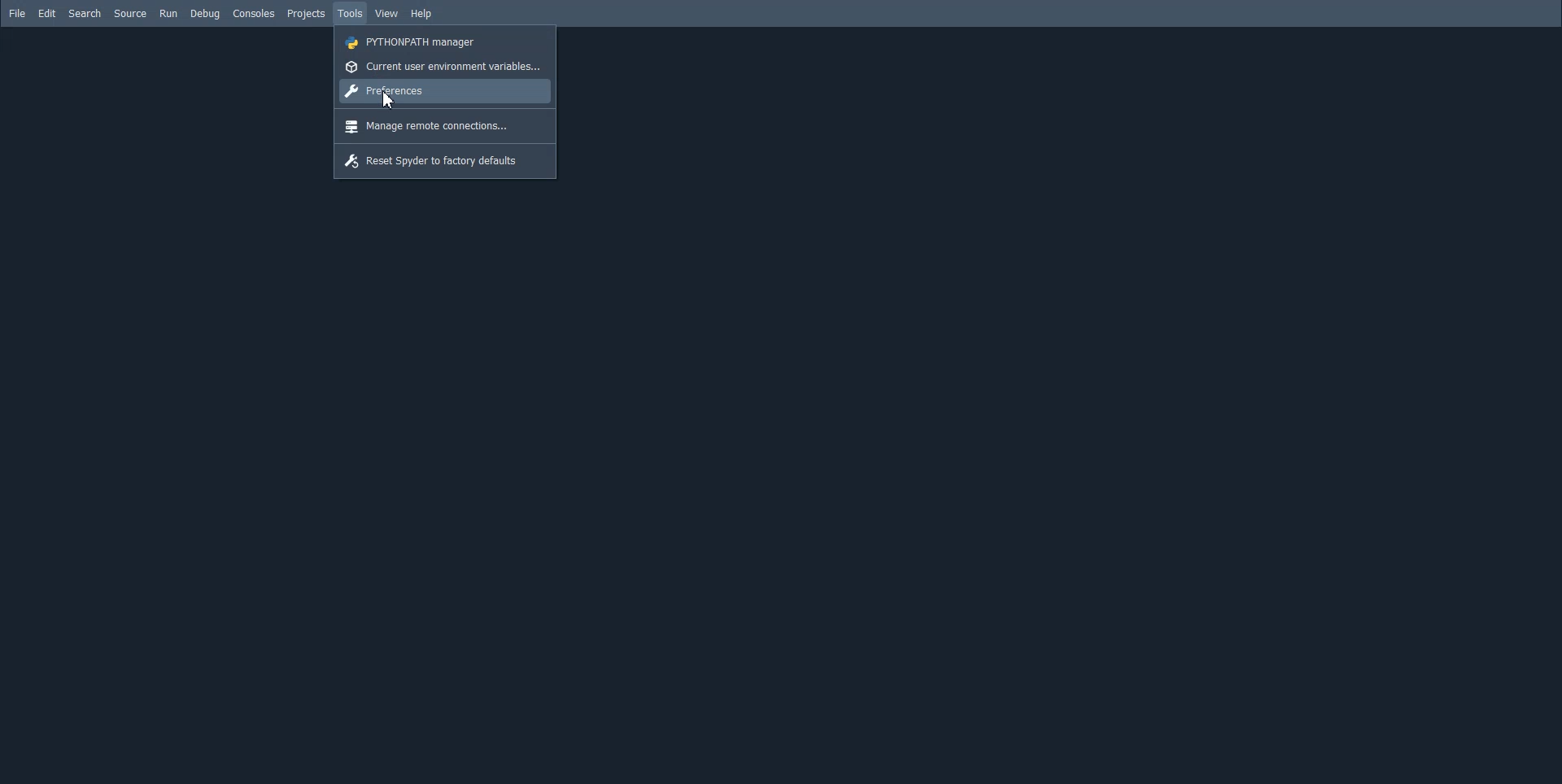 This screenshot has height=784, width=1562. What do you see at coordinates (421, 14) in the screenshot?
I see `Help` at bounding box center [421, 14].